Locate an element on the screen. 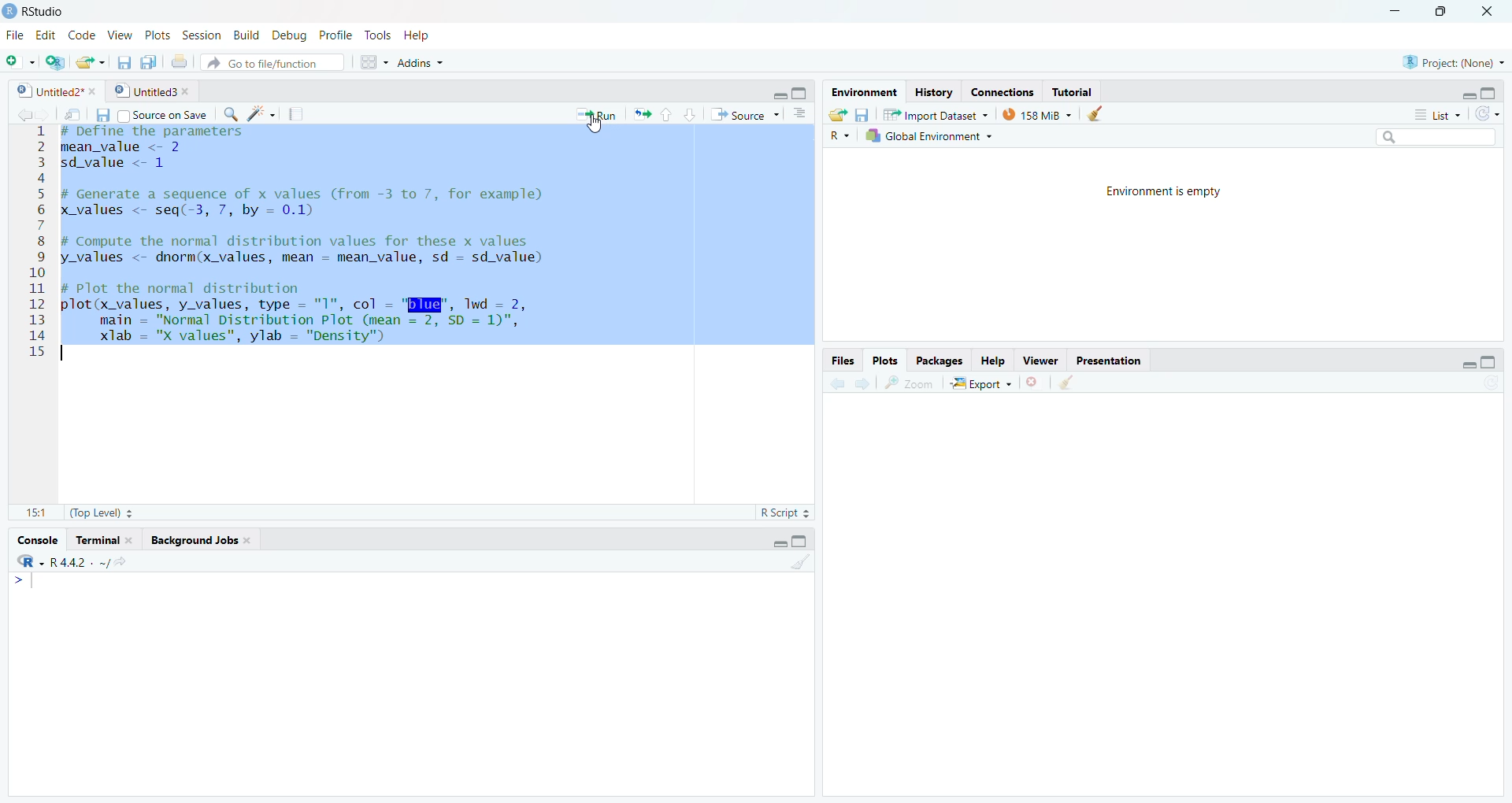  maximize/minimize is located at coordinates (798, 538).